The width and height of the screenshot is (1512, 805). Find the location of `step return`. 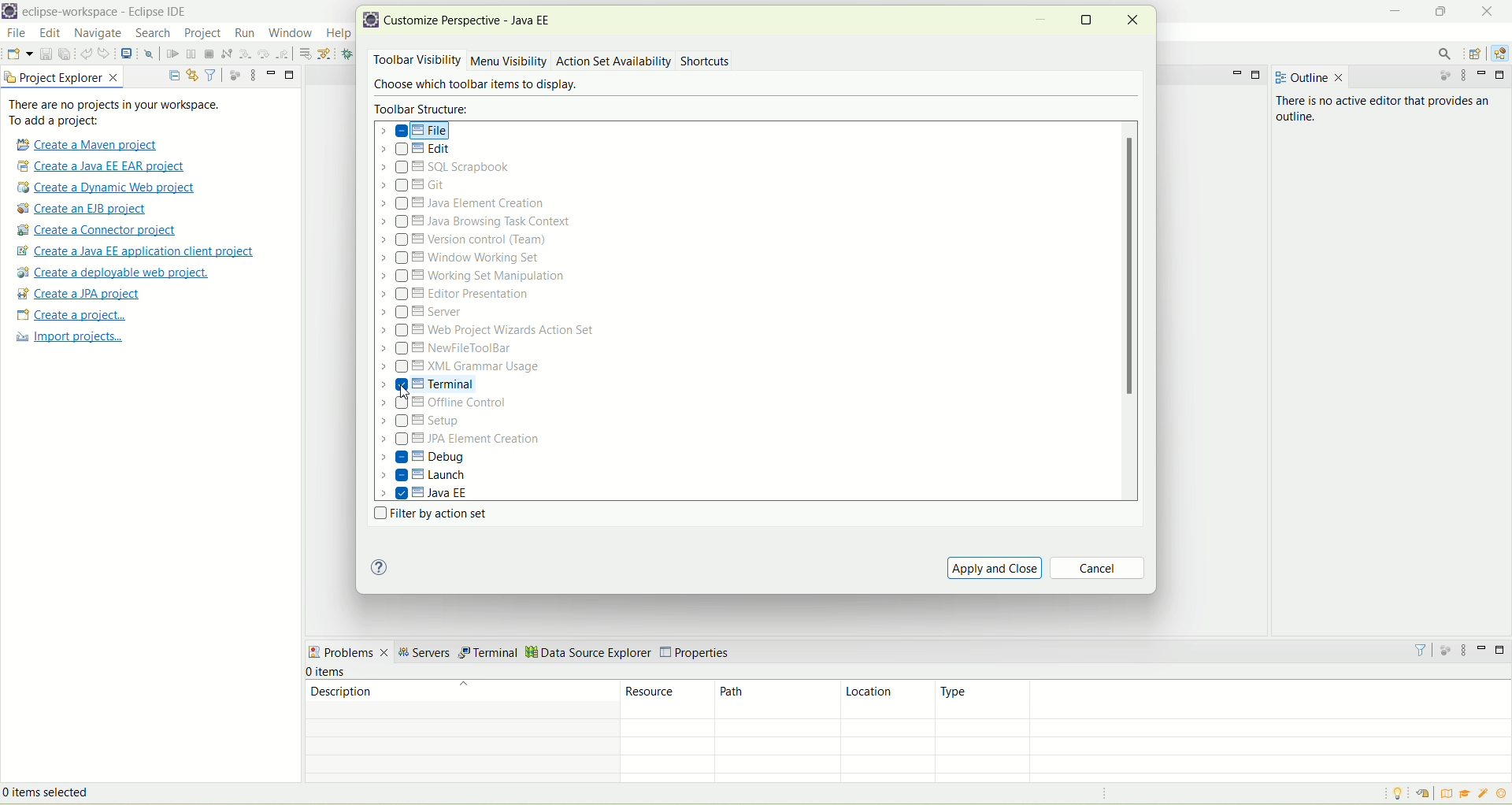

step return is located at coordinates (283, 54).